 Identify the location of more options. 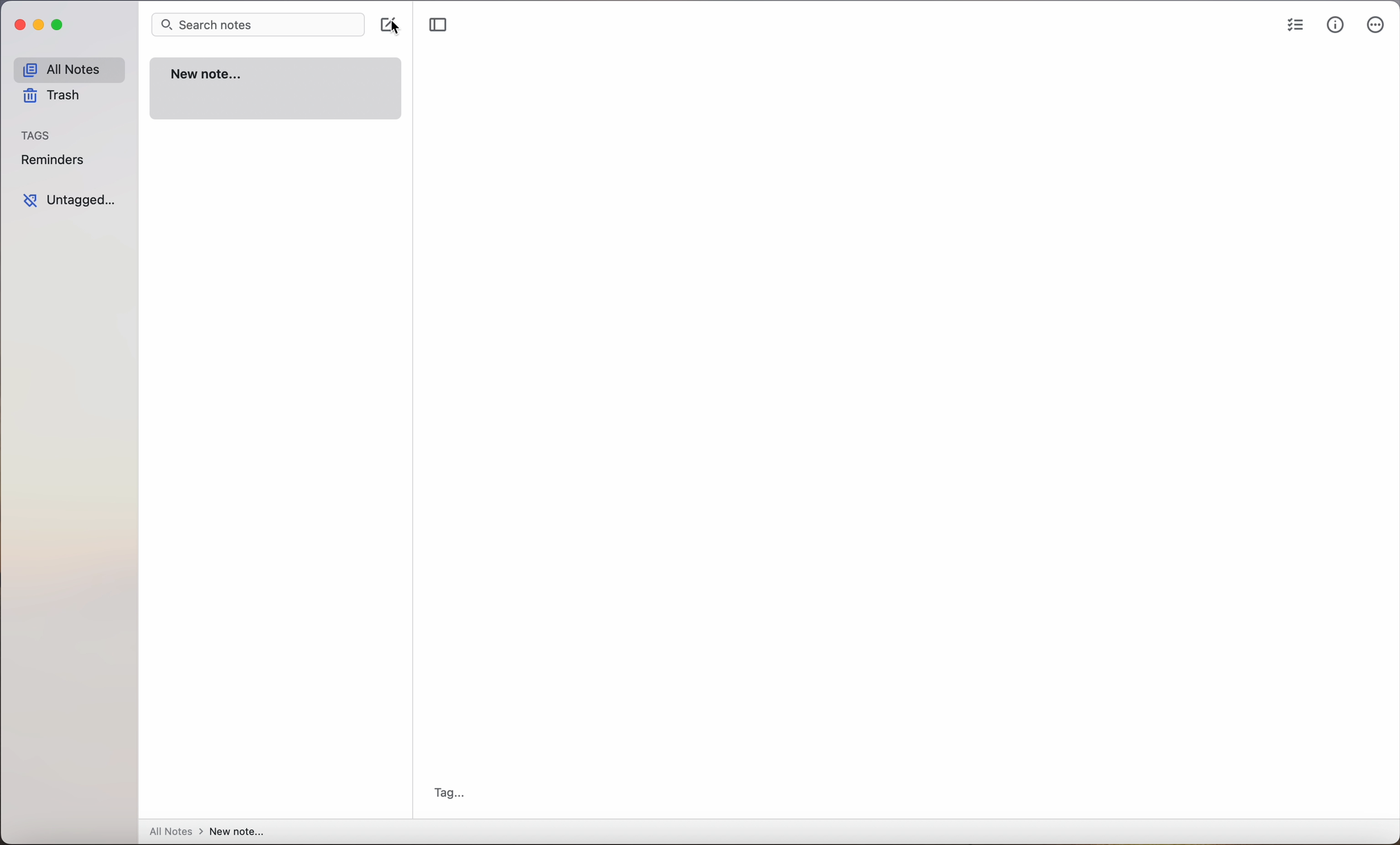
(1376, 27).